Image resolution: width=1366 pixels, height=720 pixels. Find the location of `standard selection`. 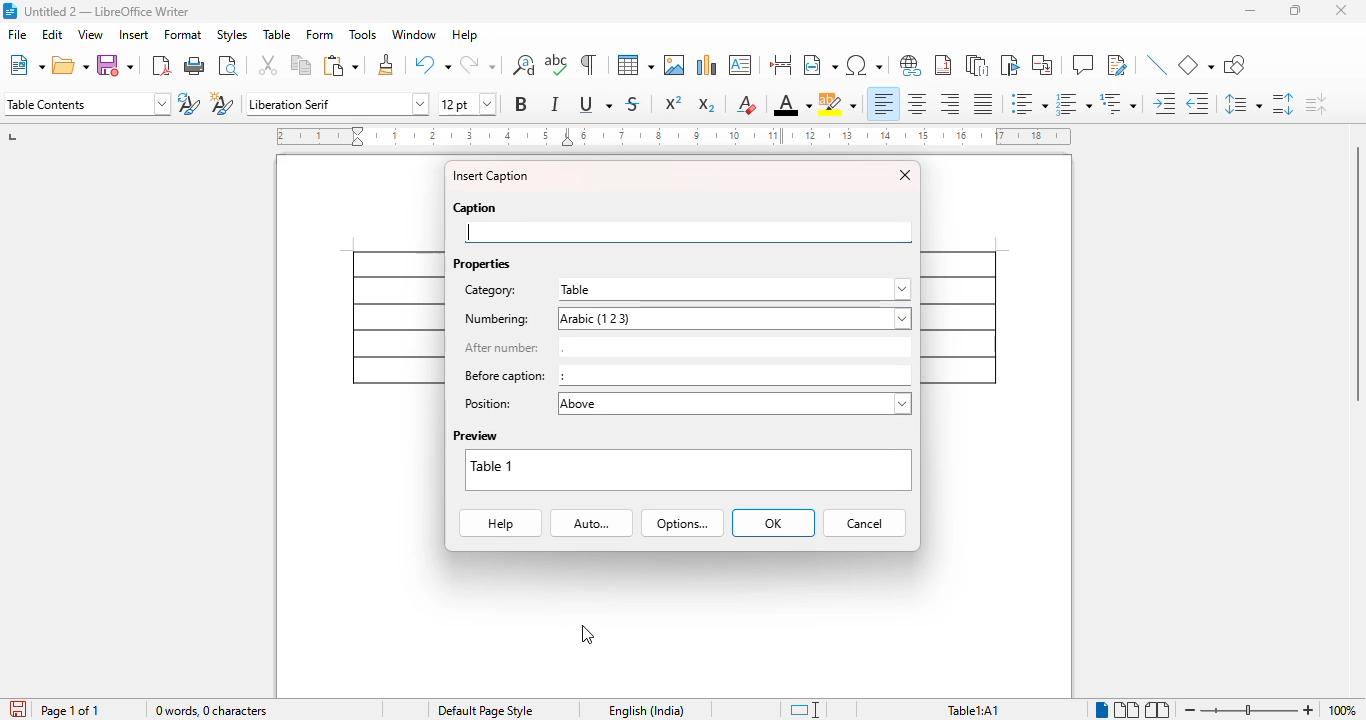

standard selection is located at coordinates (806, 710).